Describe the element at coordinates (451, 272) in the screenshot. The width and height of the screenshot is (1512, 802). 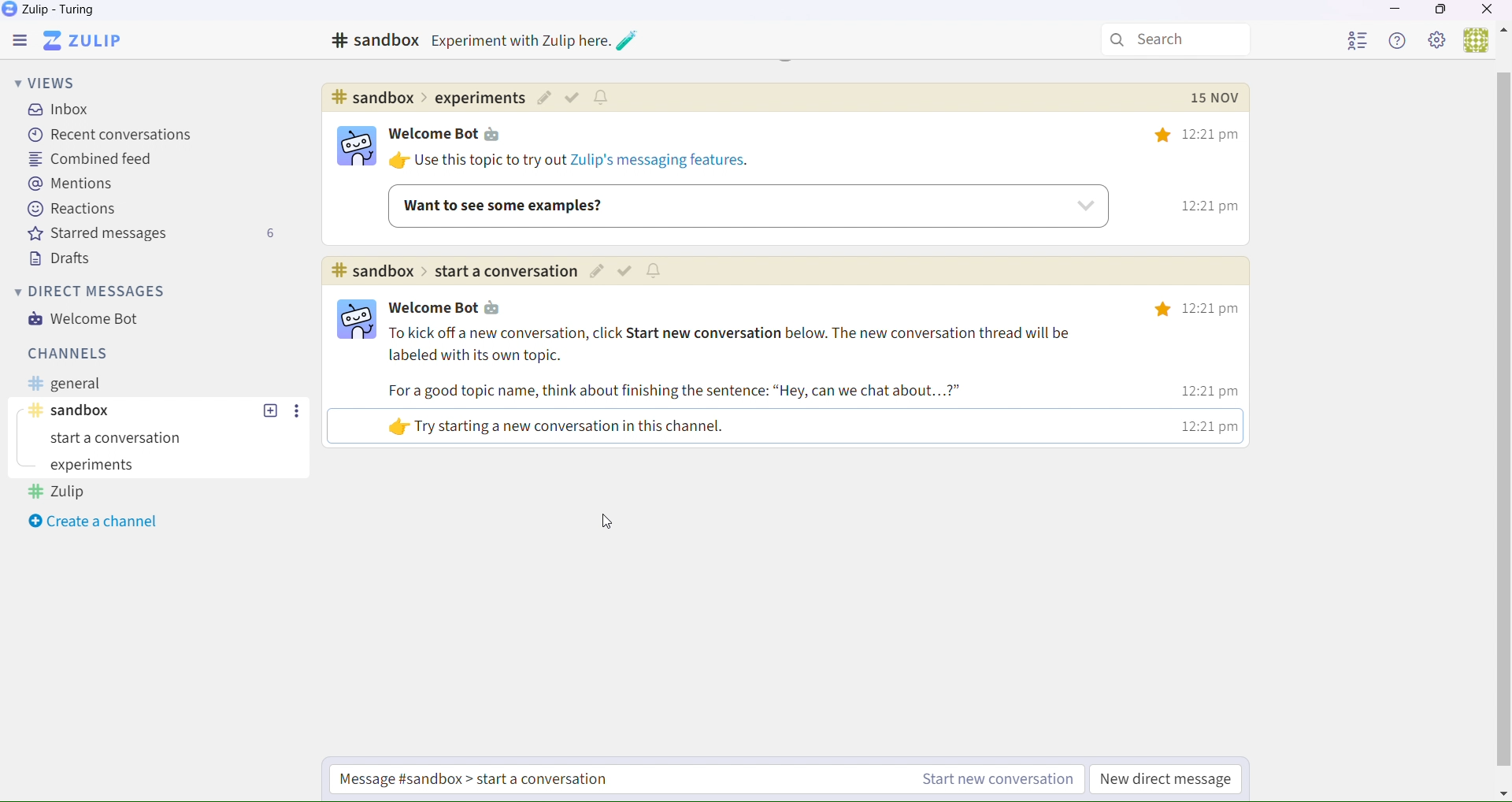
I see `#sandbox>Experiment` at that location.